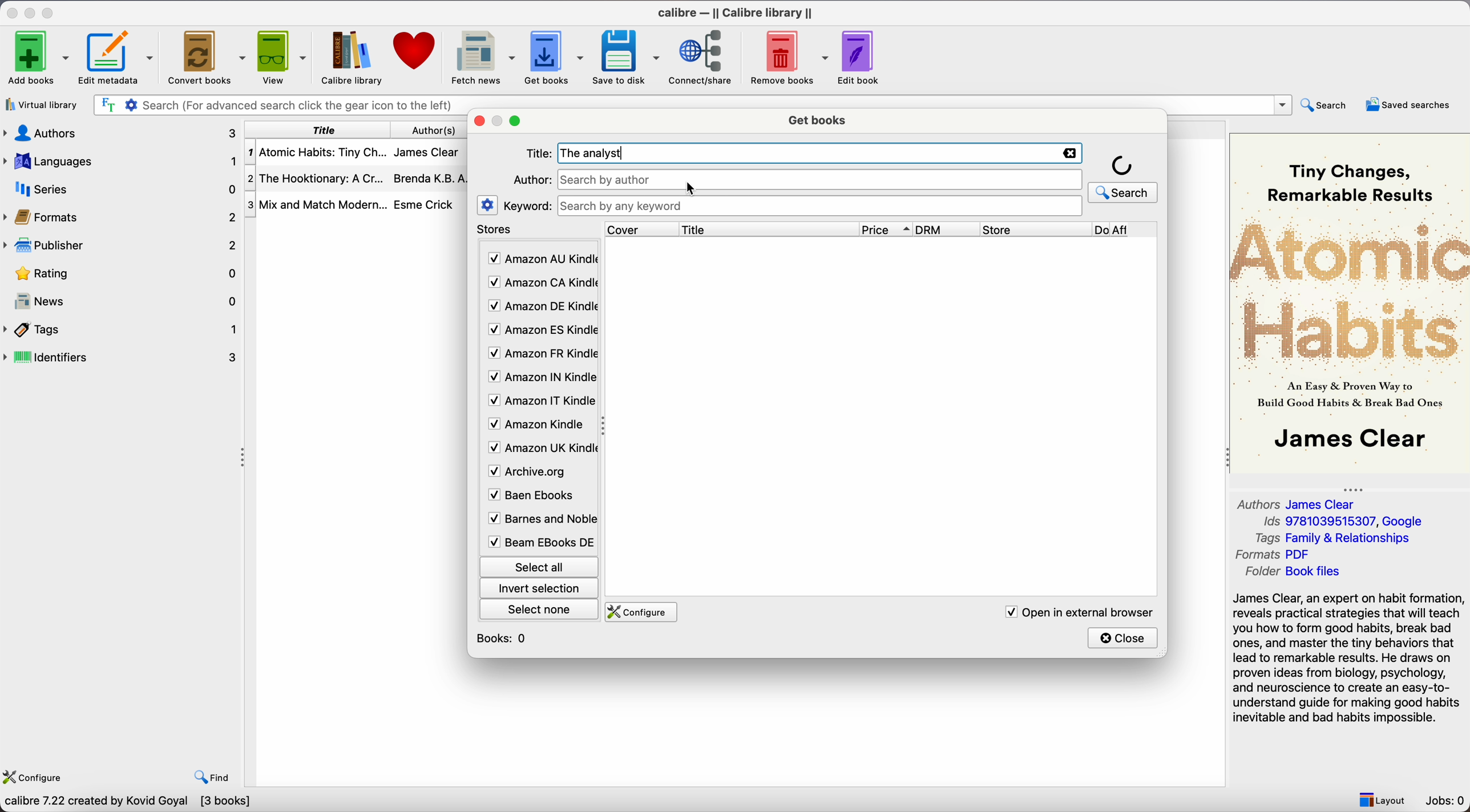 This screenshot has width=1470, height=812. I want to click on search, so click(1122, 192).